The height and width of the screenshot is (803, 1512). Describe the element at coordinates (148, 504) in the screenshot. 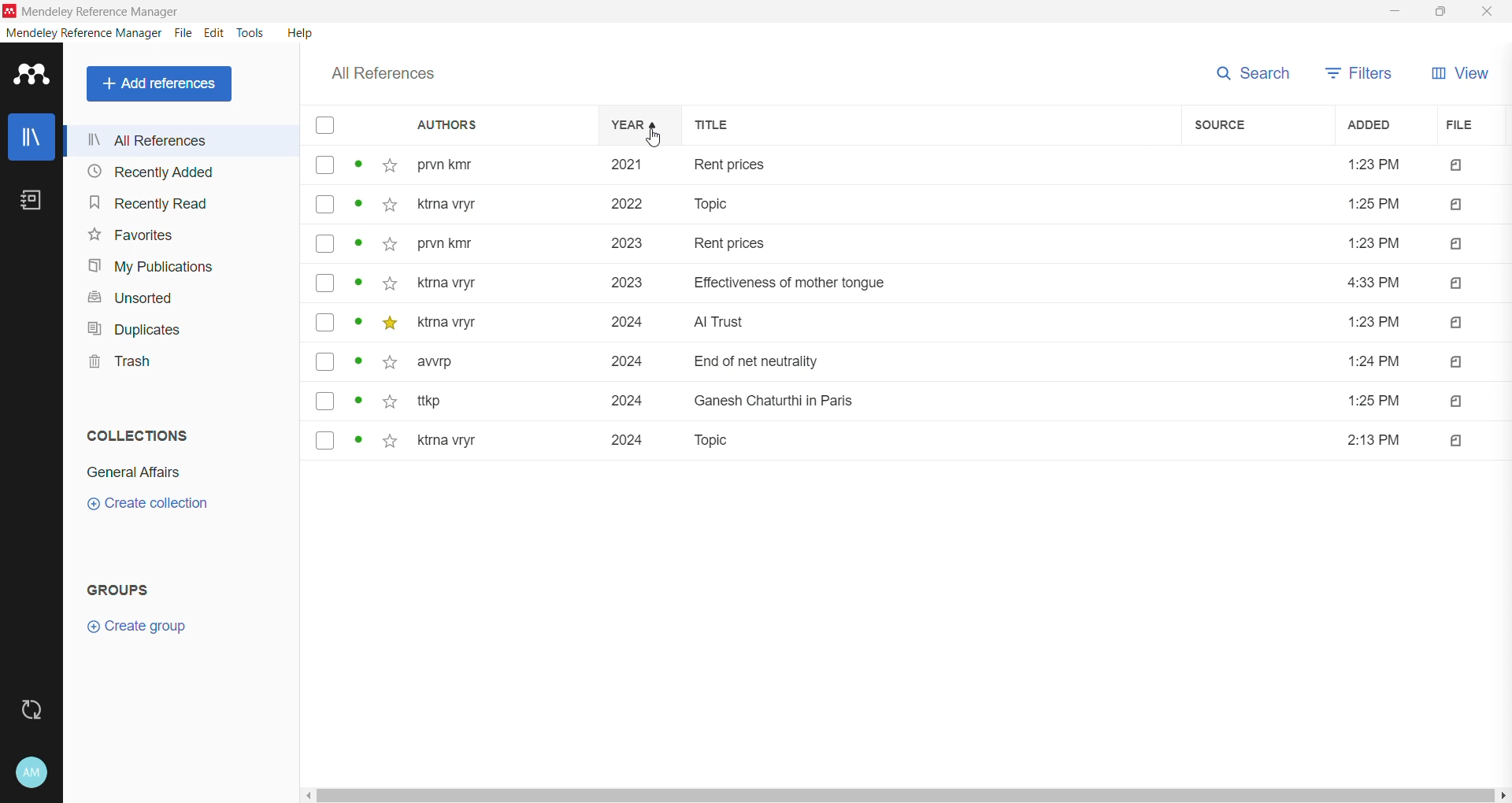

I see `Create Collection` at that location.